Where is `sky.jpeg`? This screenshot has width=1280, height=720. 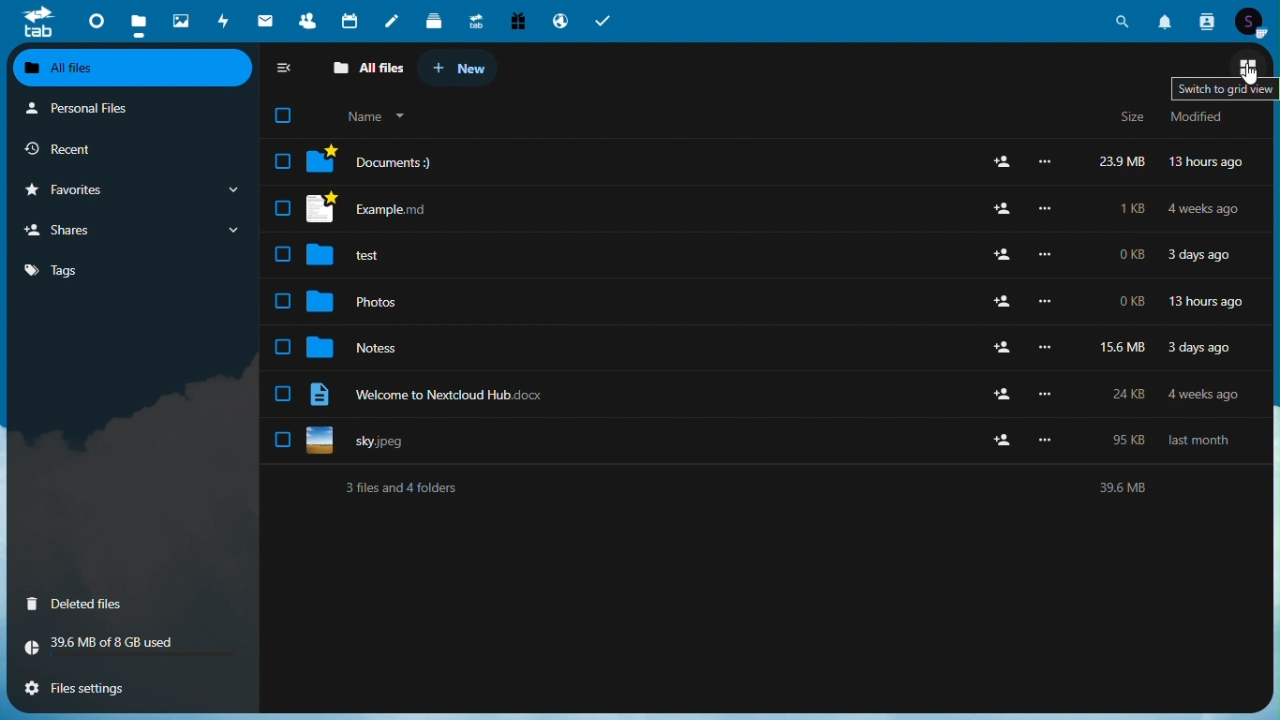 sky.jpeg is located at coordinates (384, 444).